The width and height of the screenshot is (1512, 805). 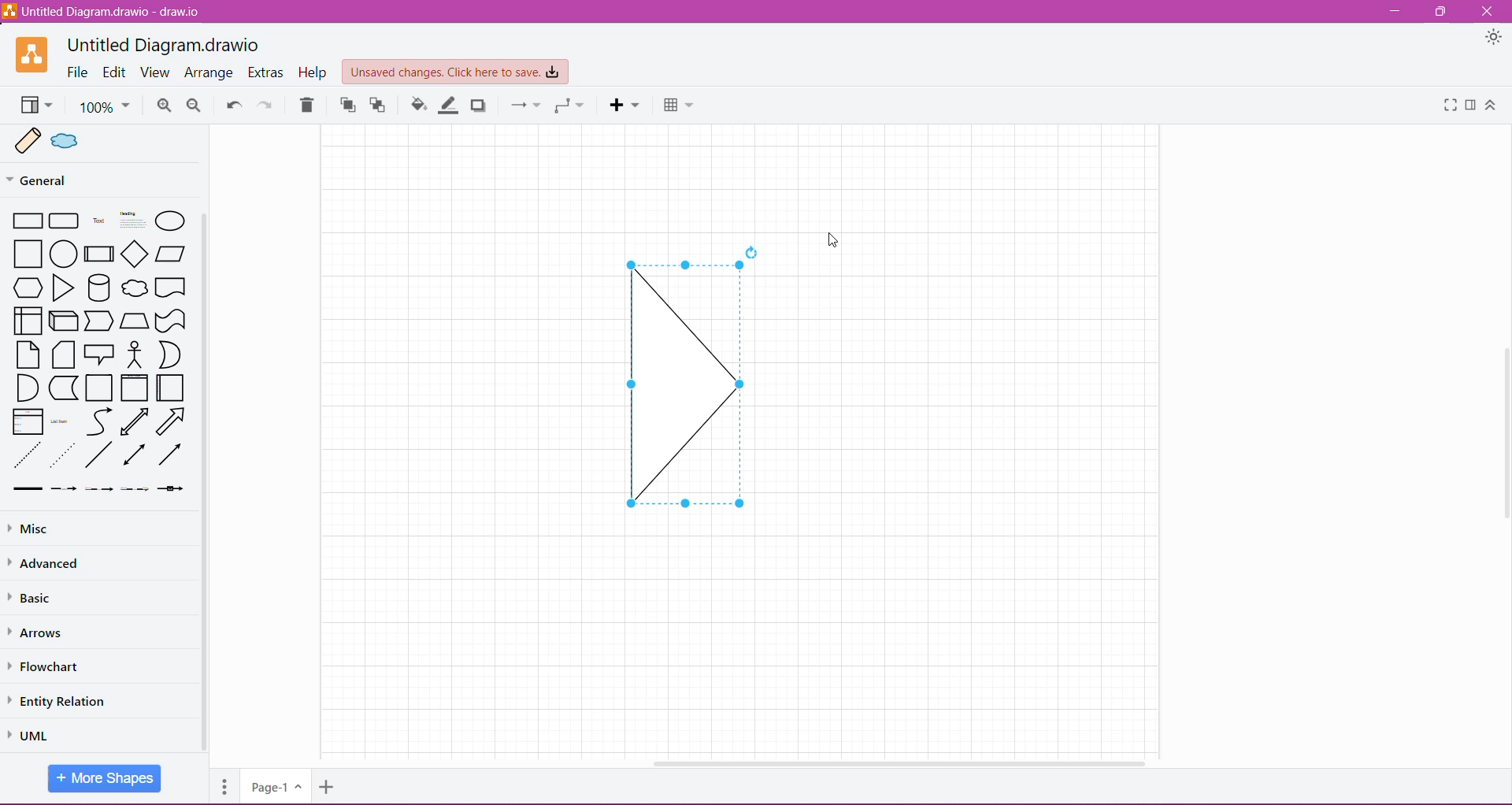 What do you see at coordinates (480, 106) in the screenshot?
I see `Shadow` at bounding box center [480, 106].